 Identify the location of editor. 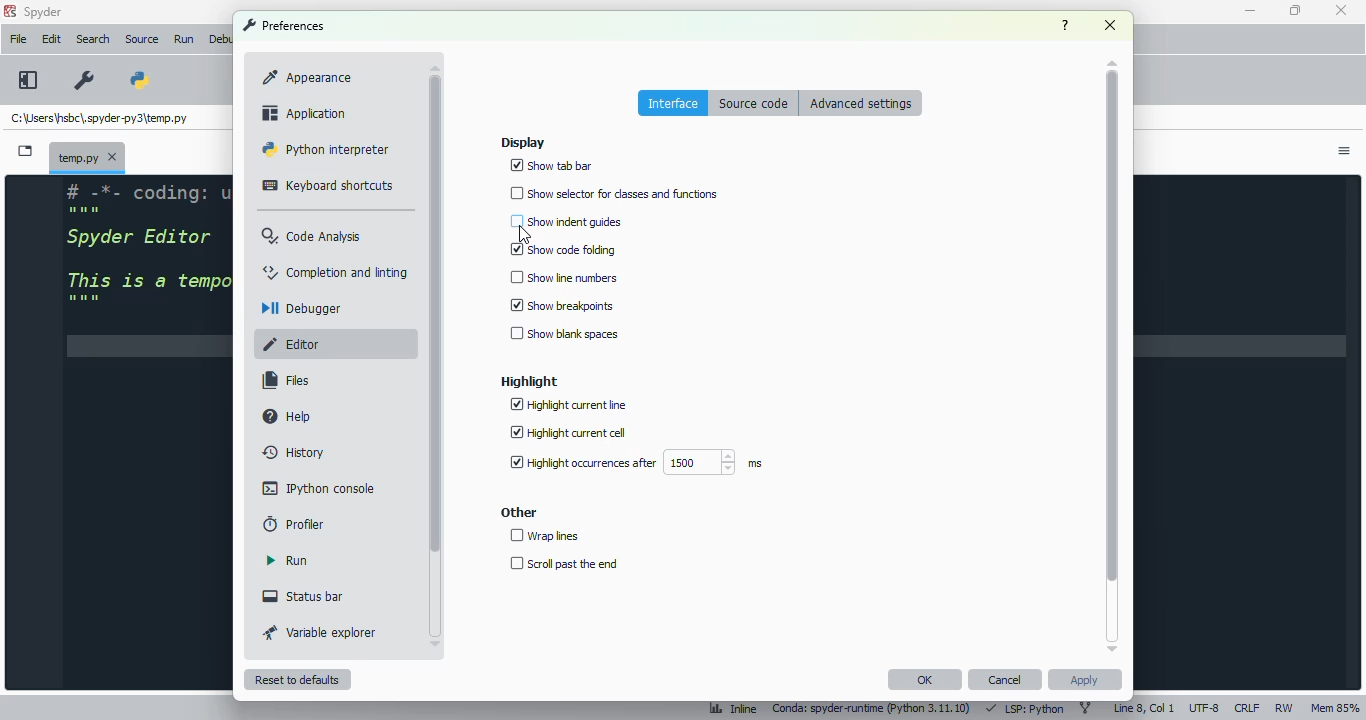
(300, 344).